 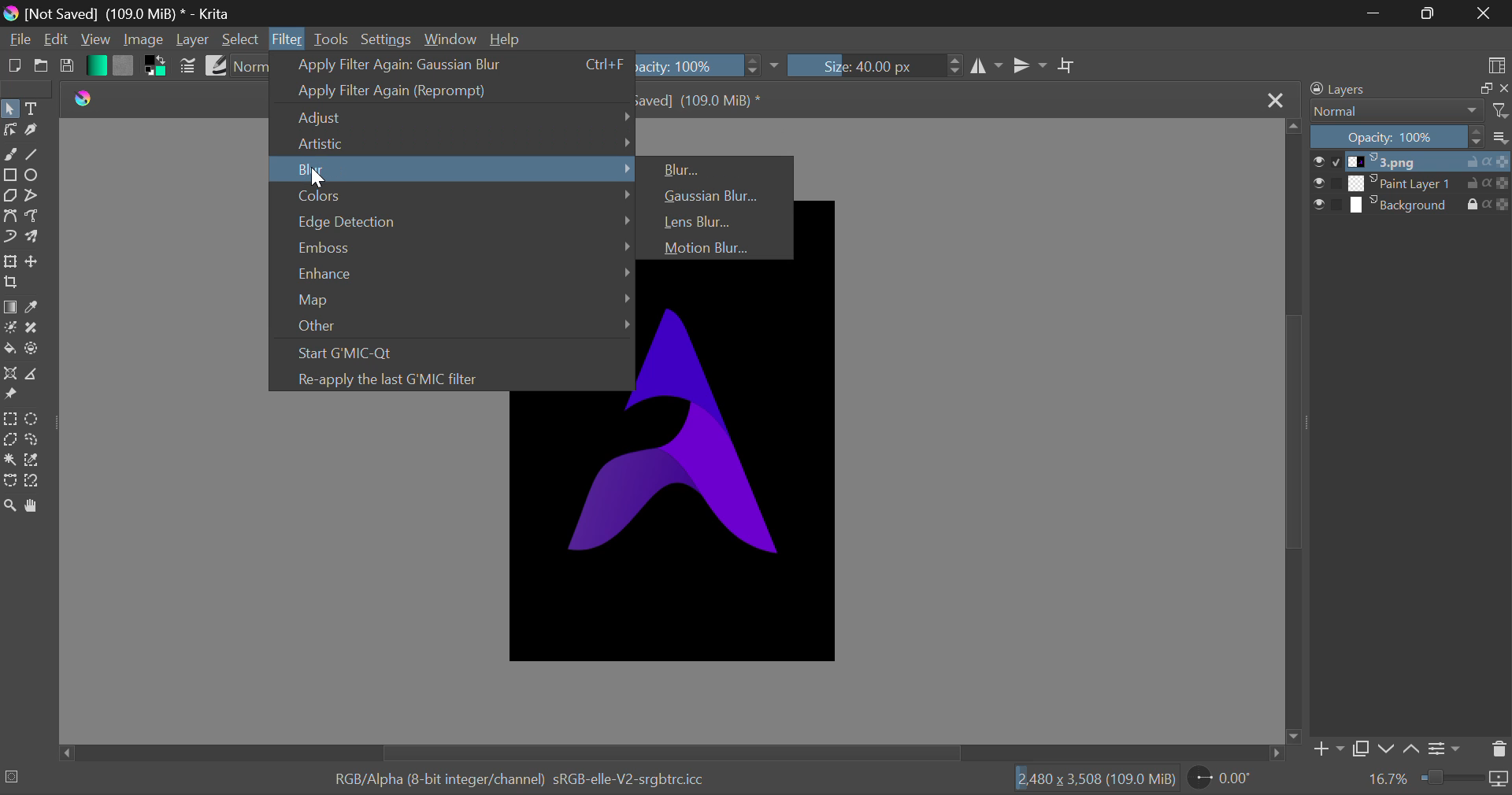 I want to click on Artistic, so click(x=454, y=142).